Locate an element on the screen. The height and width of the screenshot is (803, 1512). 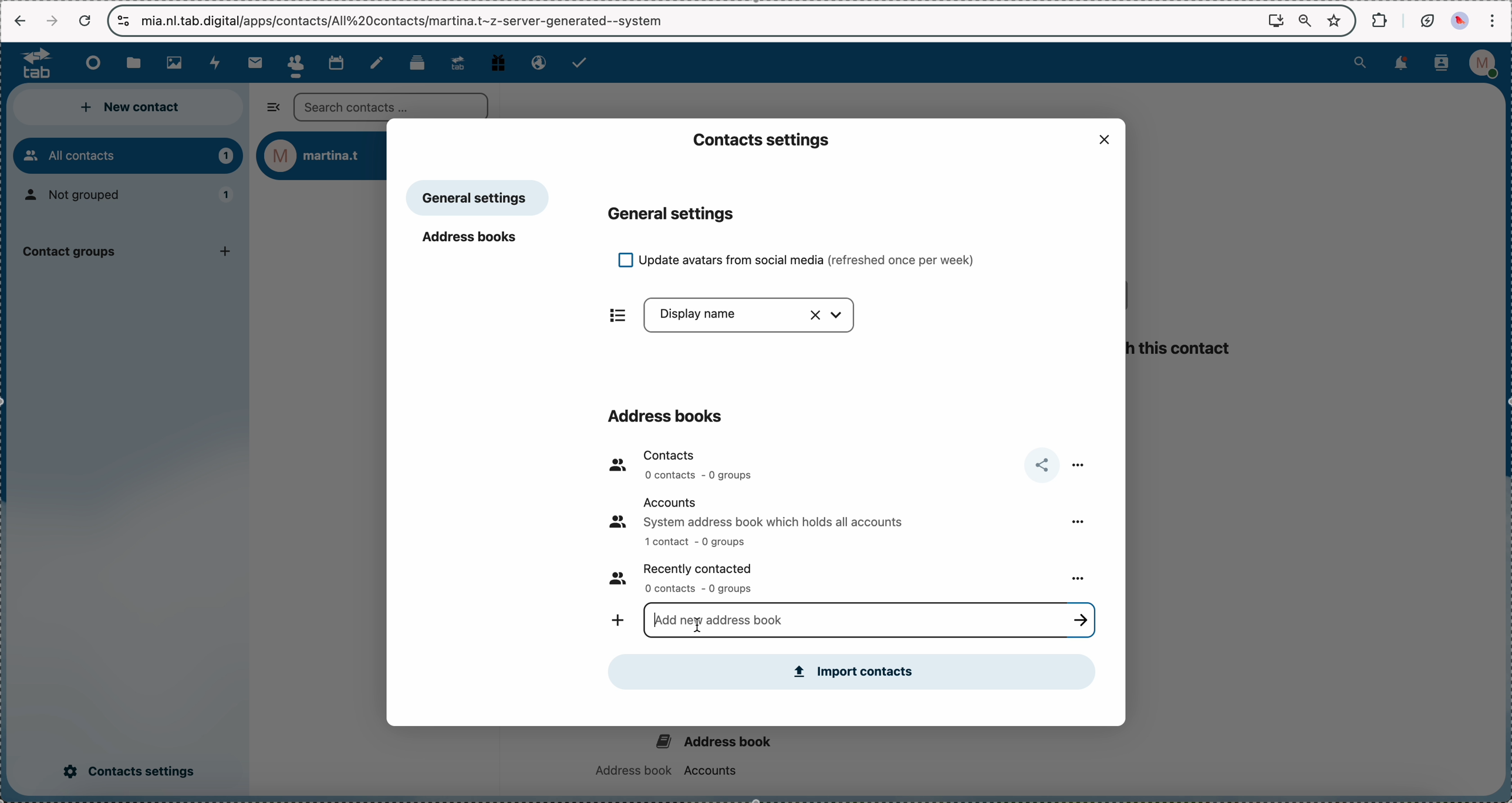
extensions is located at coordinates (1378, 20).